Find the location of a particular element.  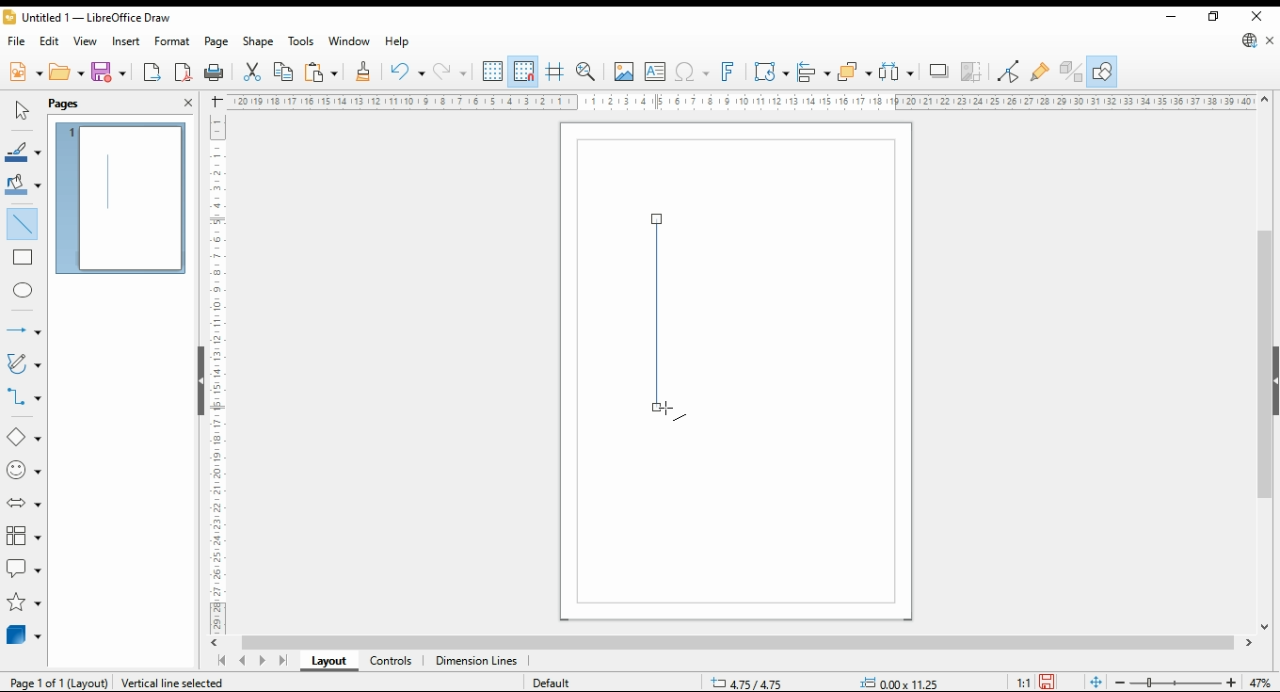

new is located at coordinates (24, 72).